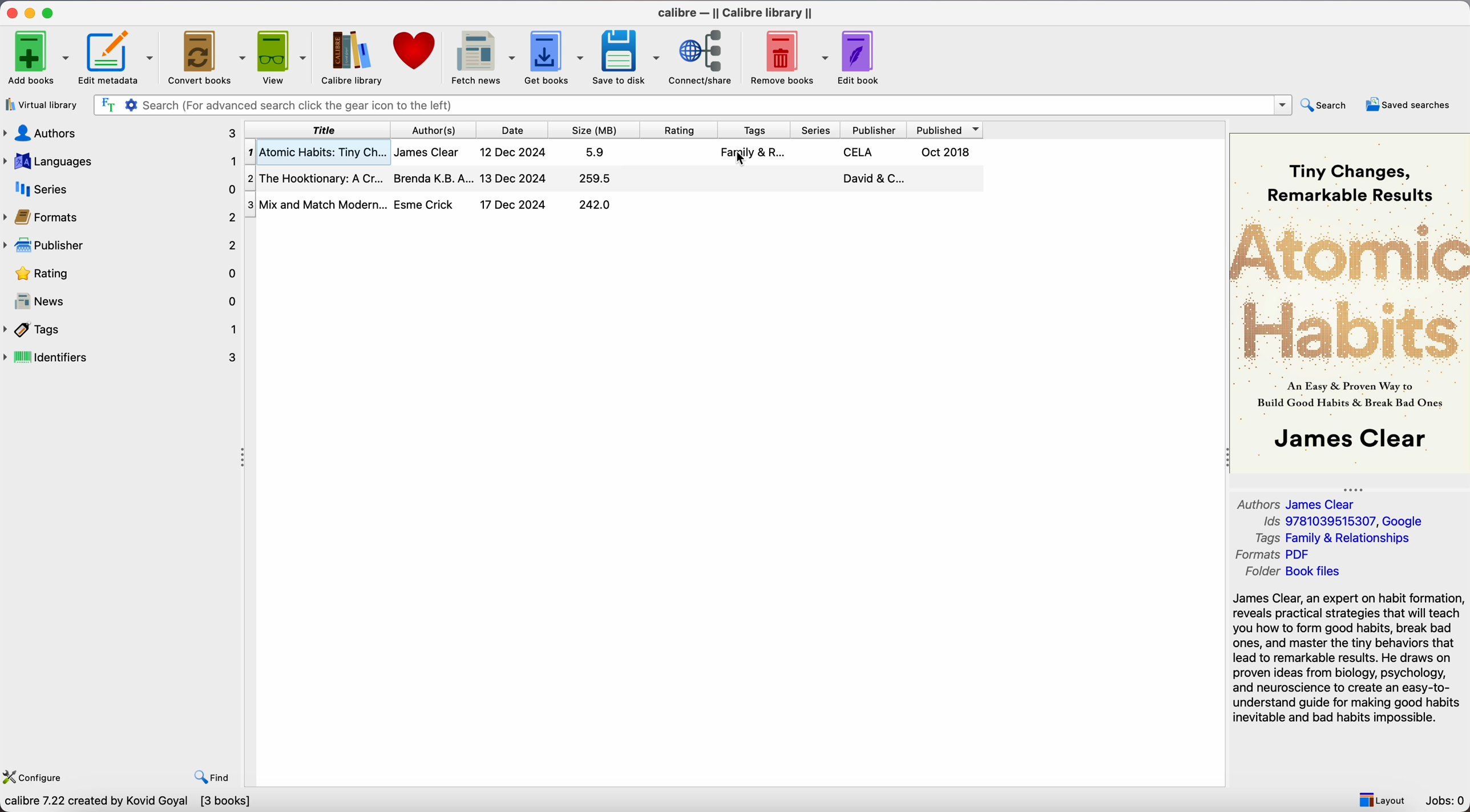 The height and width of the screenshot is (812, 1470). Describe the element at coordinates (1276, 555) in the screenshot. I see `Formats PDF` at that location.